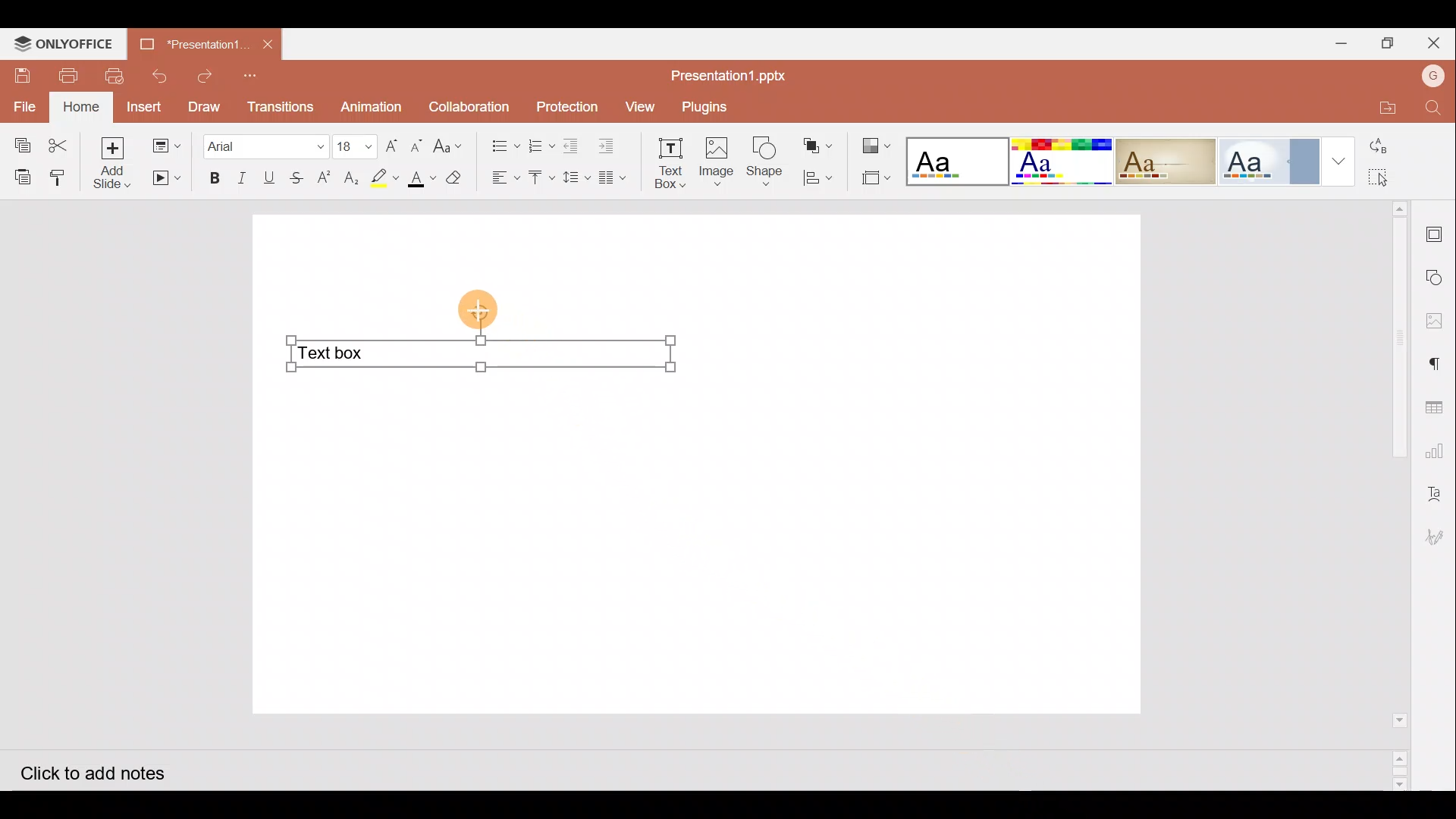 The height and width of the screenshot is (819, 1456). What do you see at coordinates (381, 177) in the screenshot?
I see `Highlight color` at bounding box center [381, 177].